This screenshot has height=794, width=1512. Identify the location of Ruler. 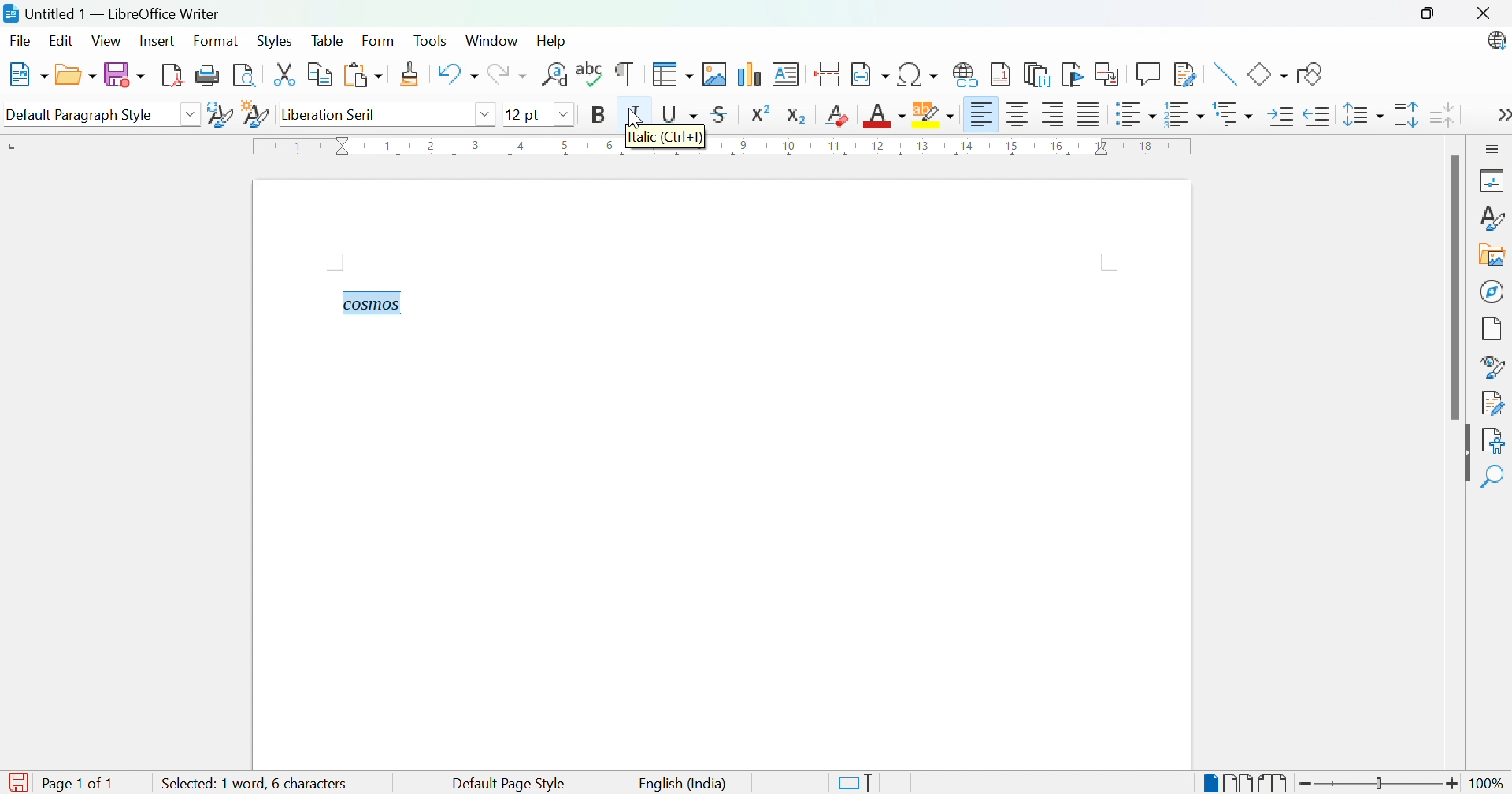
(724, 148).